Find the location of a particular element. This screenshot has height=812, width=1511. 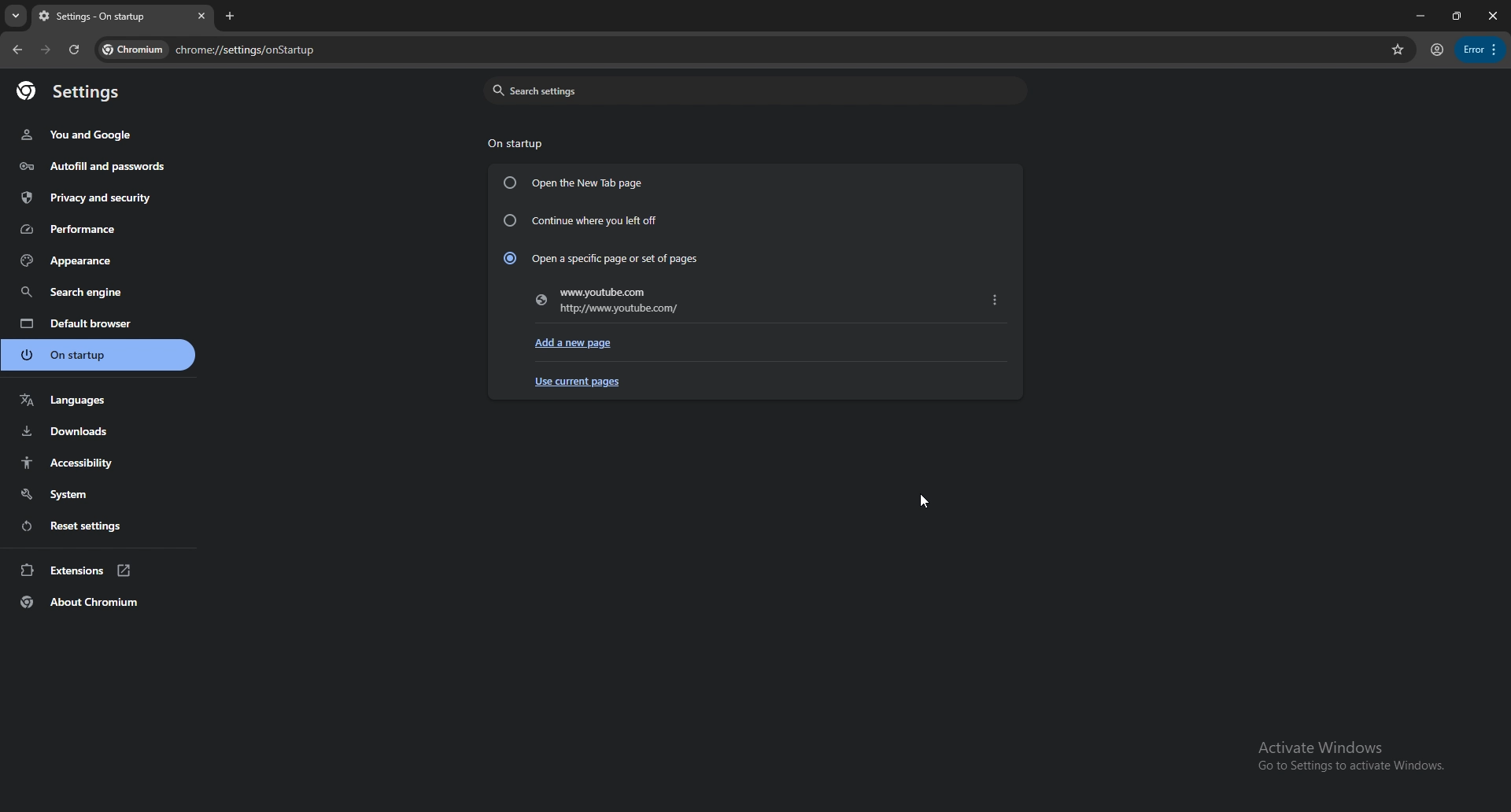

minimize is located at coordinates (1417, 16).